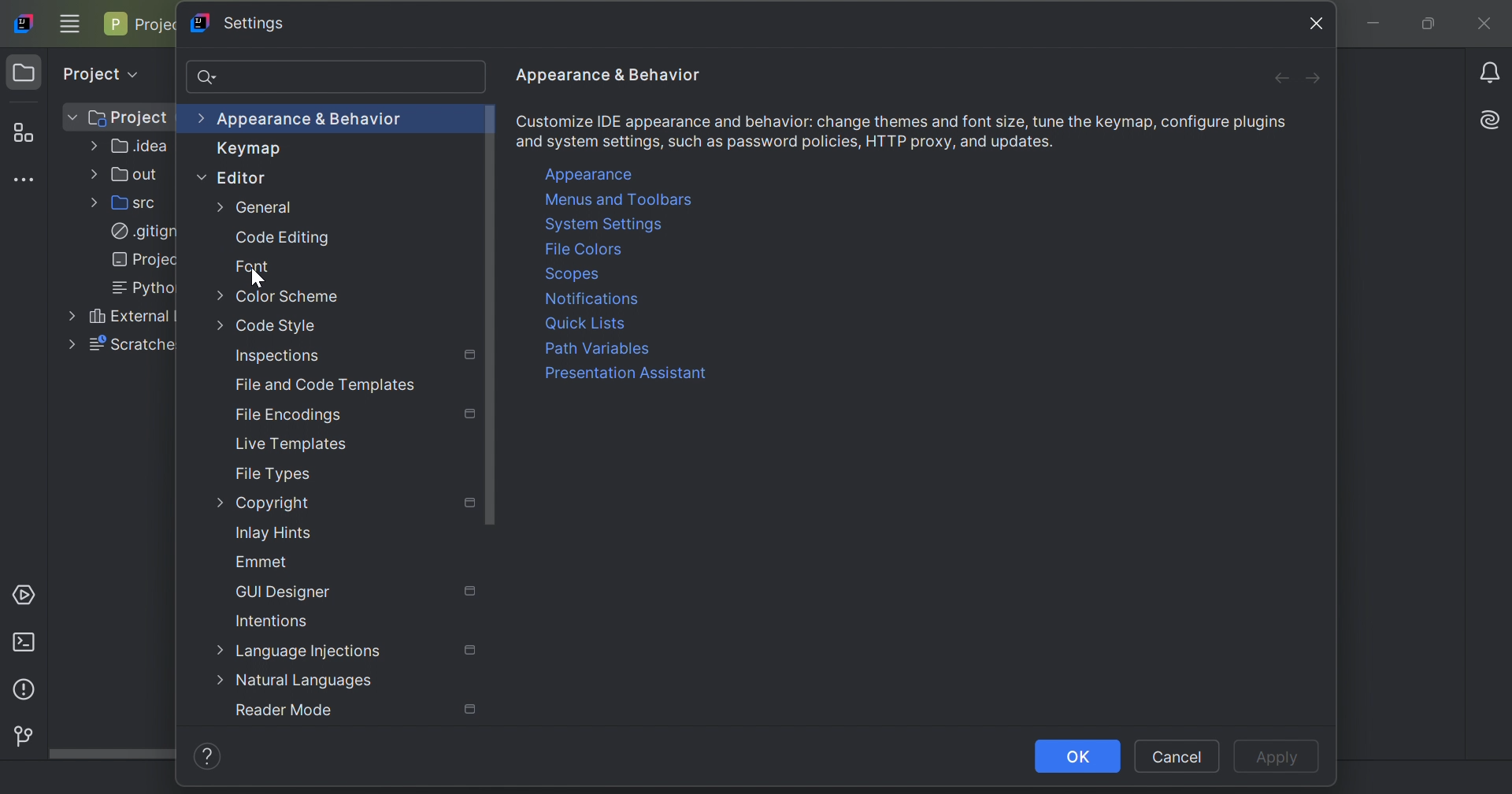 This screenshot has width=1512, height=794. I want to click on Inspections, so click(277, 356).